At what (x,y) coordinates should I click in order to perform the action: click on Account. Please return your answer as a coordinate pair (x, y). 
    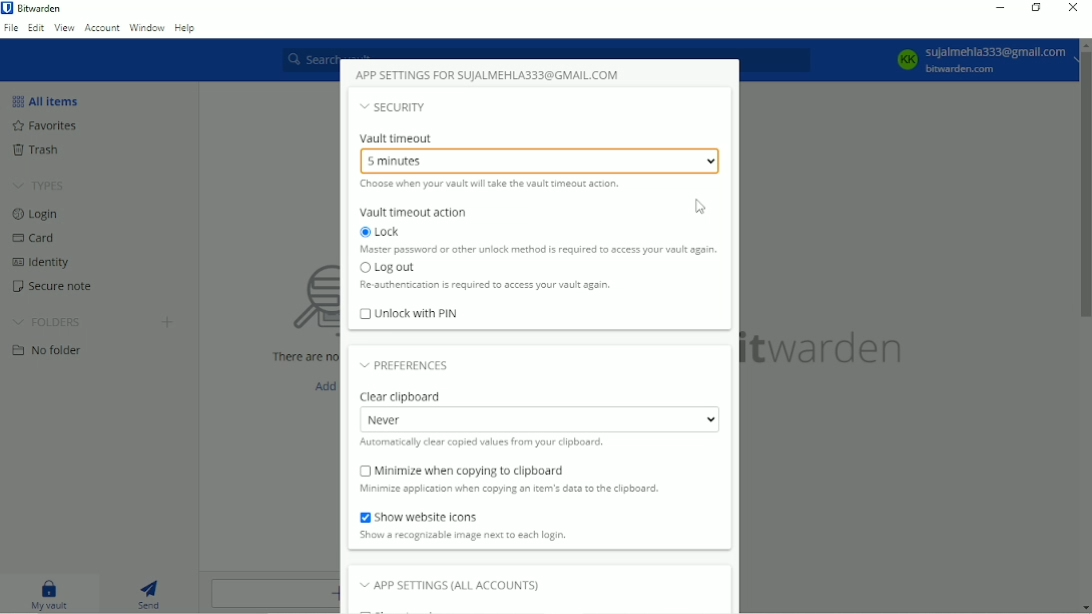
    Looking at the image, I should click on (103, 28).